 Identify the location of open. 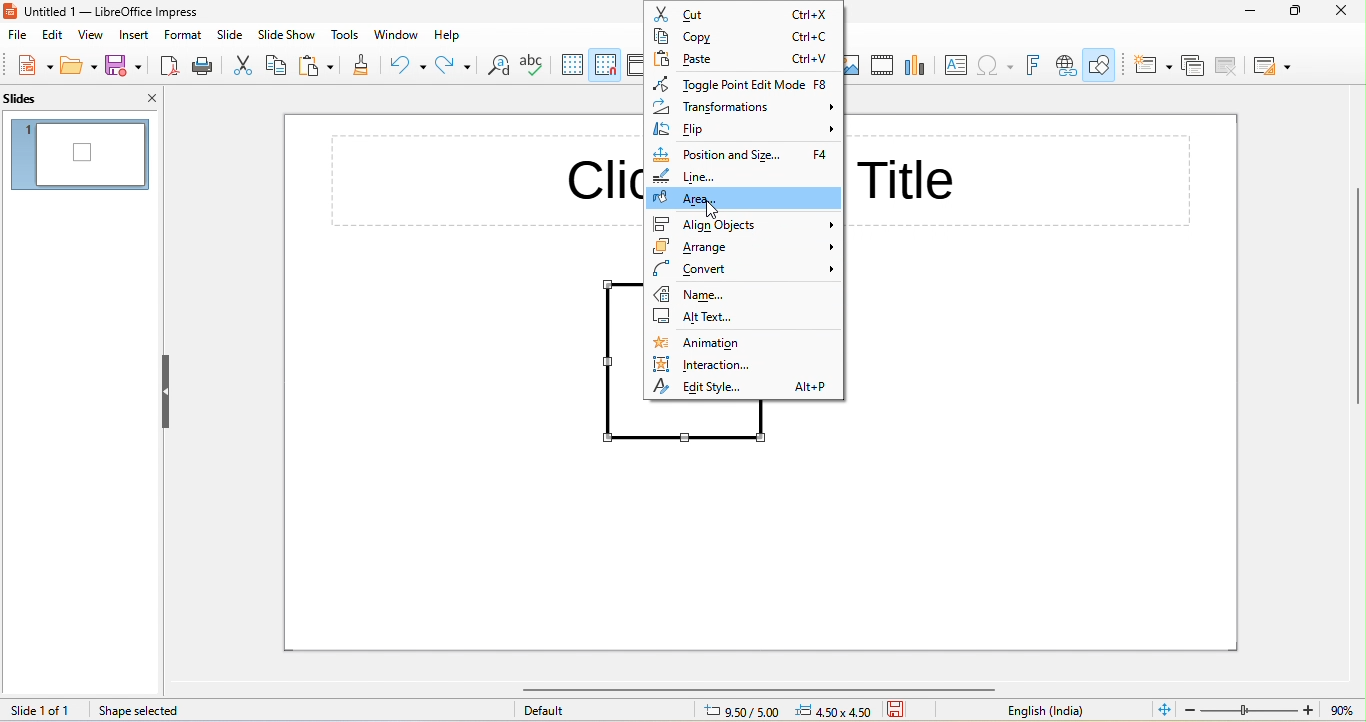
(79, 63).